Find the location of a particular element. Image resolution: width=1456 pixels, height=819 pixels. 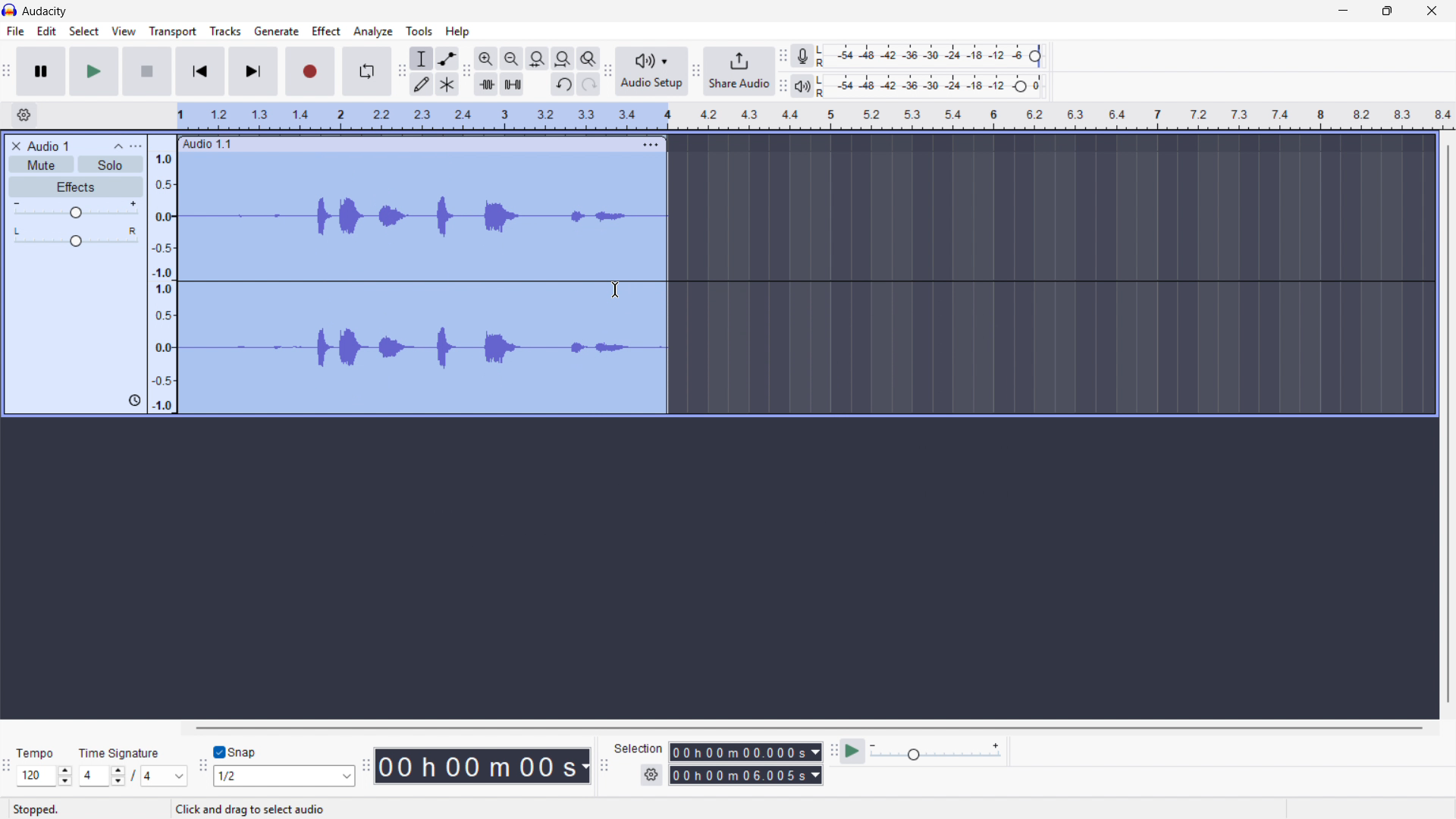

gain is located at coordinates (77, 212).